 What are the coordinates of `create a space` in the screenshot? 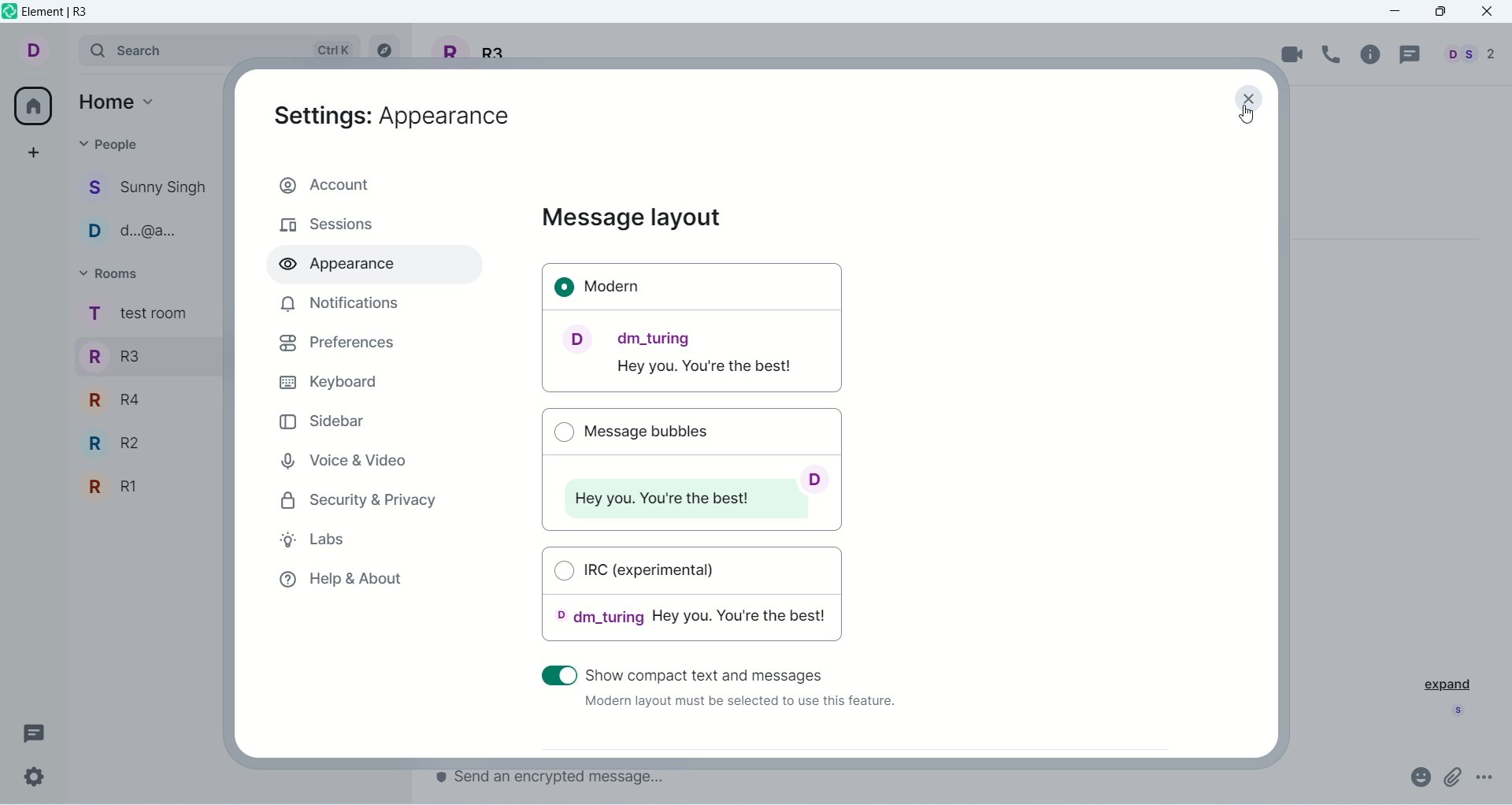 It's located at (34, 152).